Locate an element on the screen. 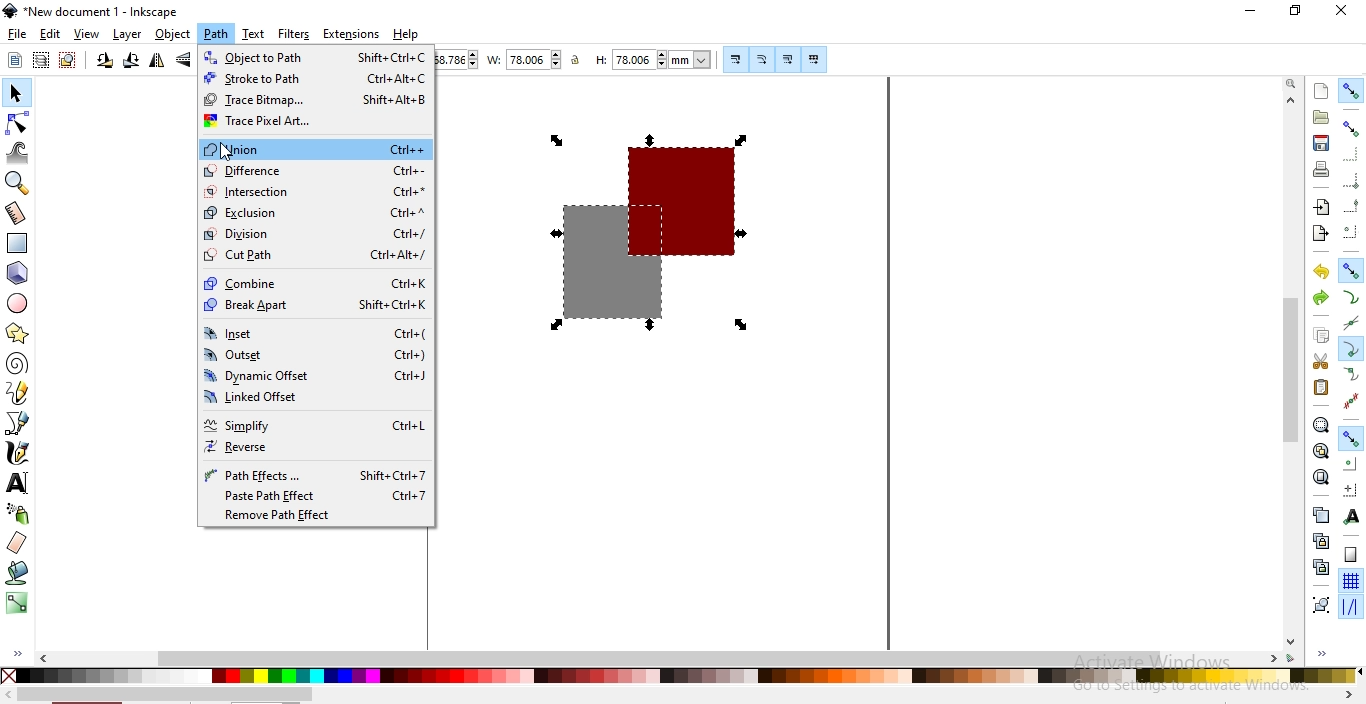 Image resolution: width=1366 pixels, height=704 pixels. minimize is located at coordinates (1251, 12).